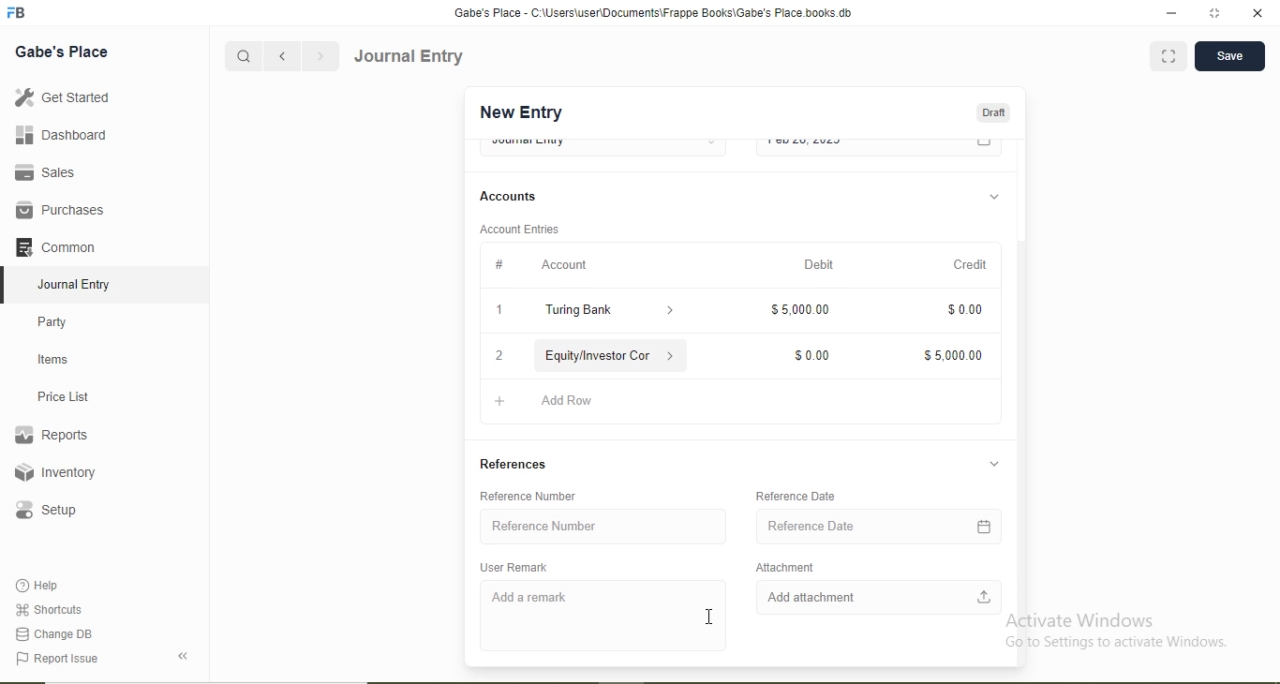  Describe the element at coordinates (993, 198) in the screenshot. I see `Dropdown` at that location.